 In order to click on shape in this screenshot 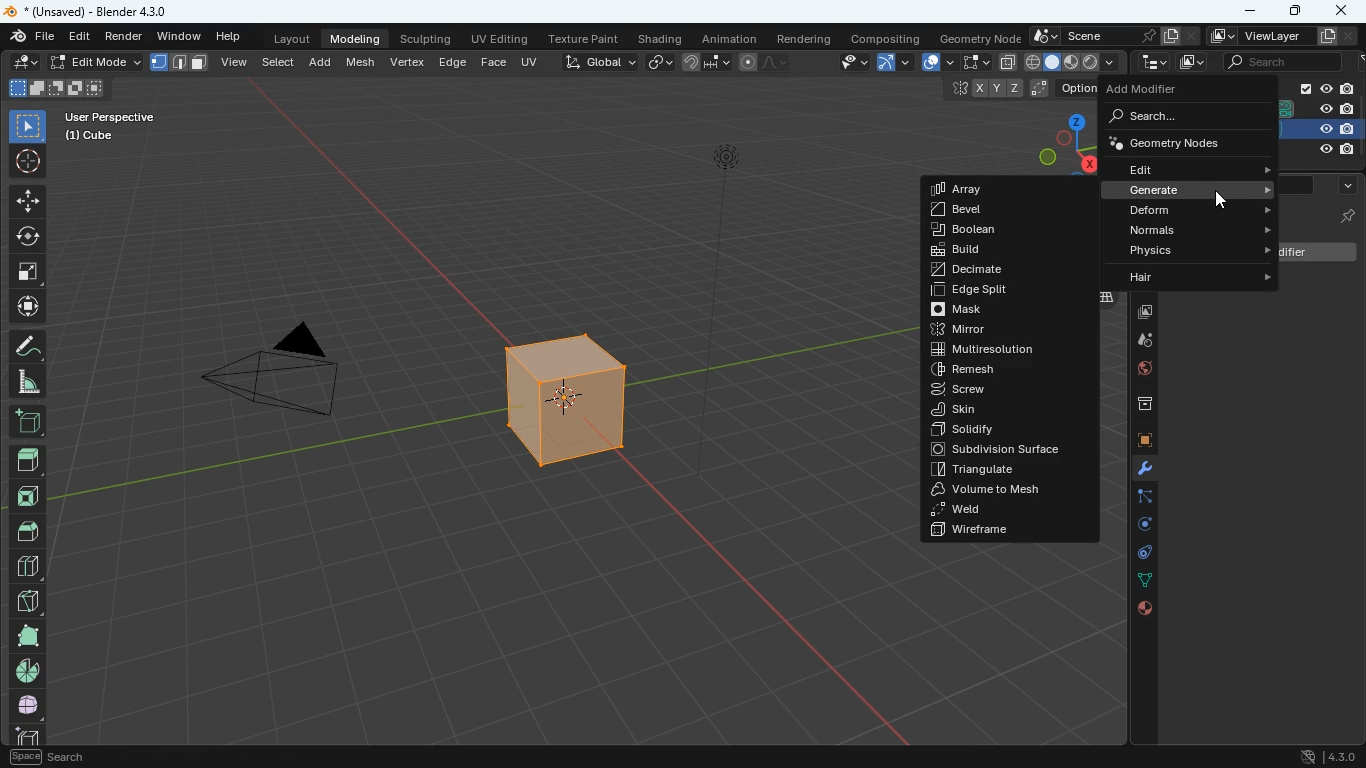, I will do `click(1073, 61)`.